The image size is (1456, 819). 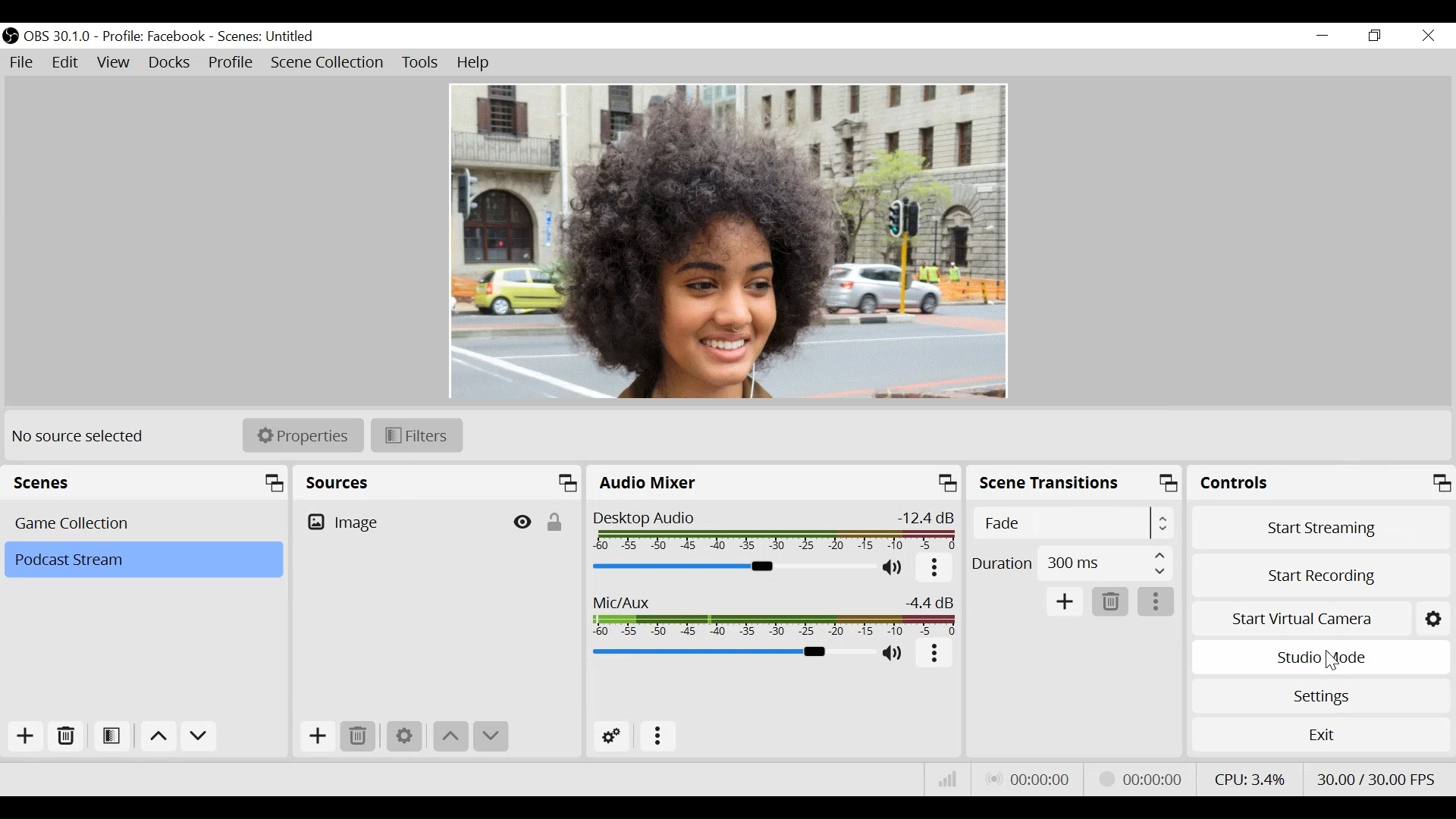 I want to click on Add, so click(x=25, y=735).